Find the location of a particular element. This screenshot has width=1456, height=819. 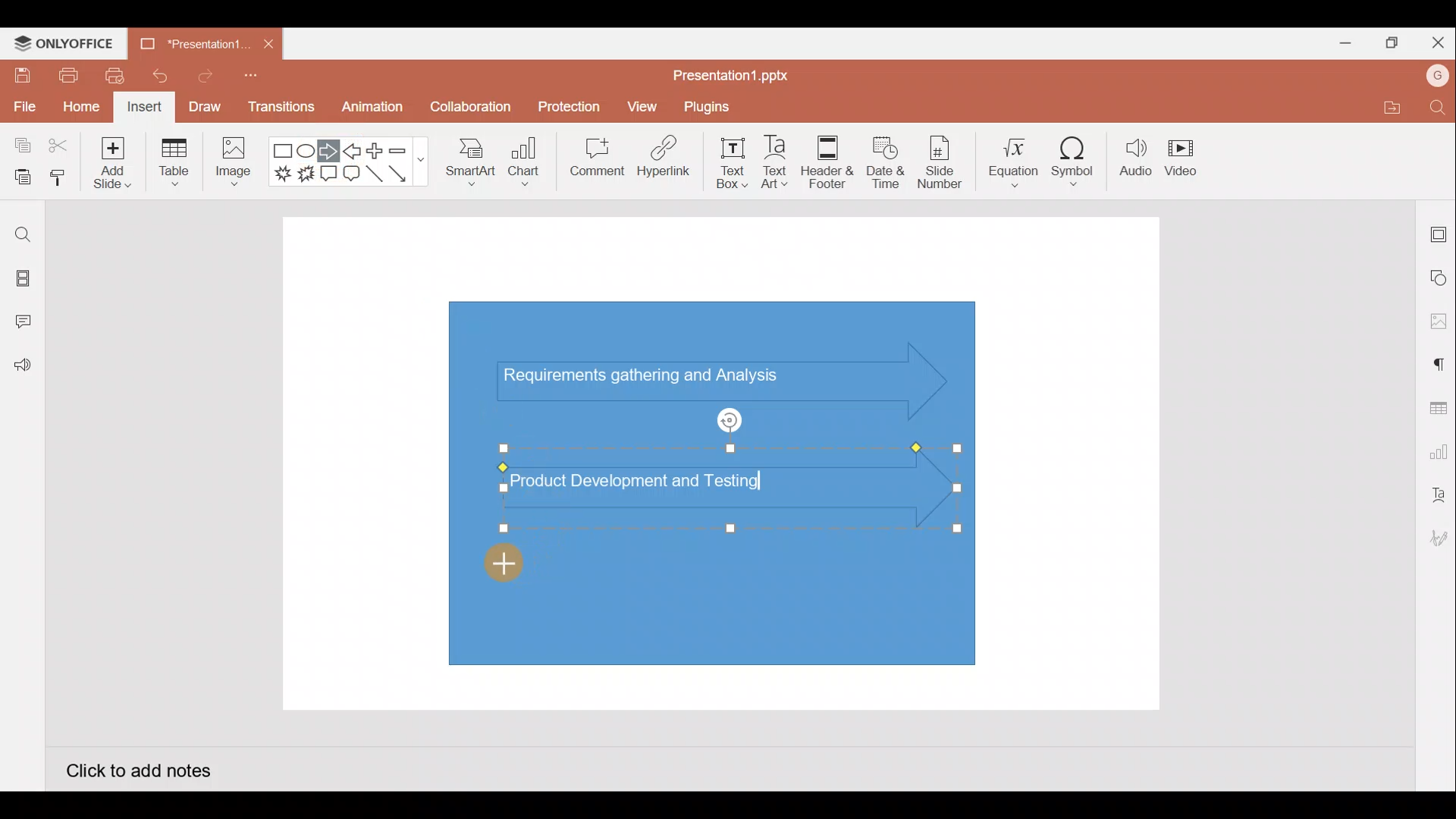

Chart is located at coordinates (525, 160).